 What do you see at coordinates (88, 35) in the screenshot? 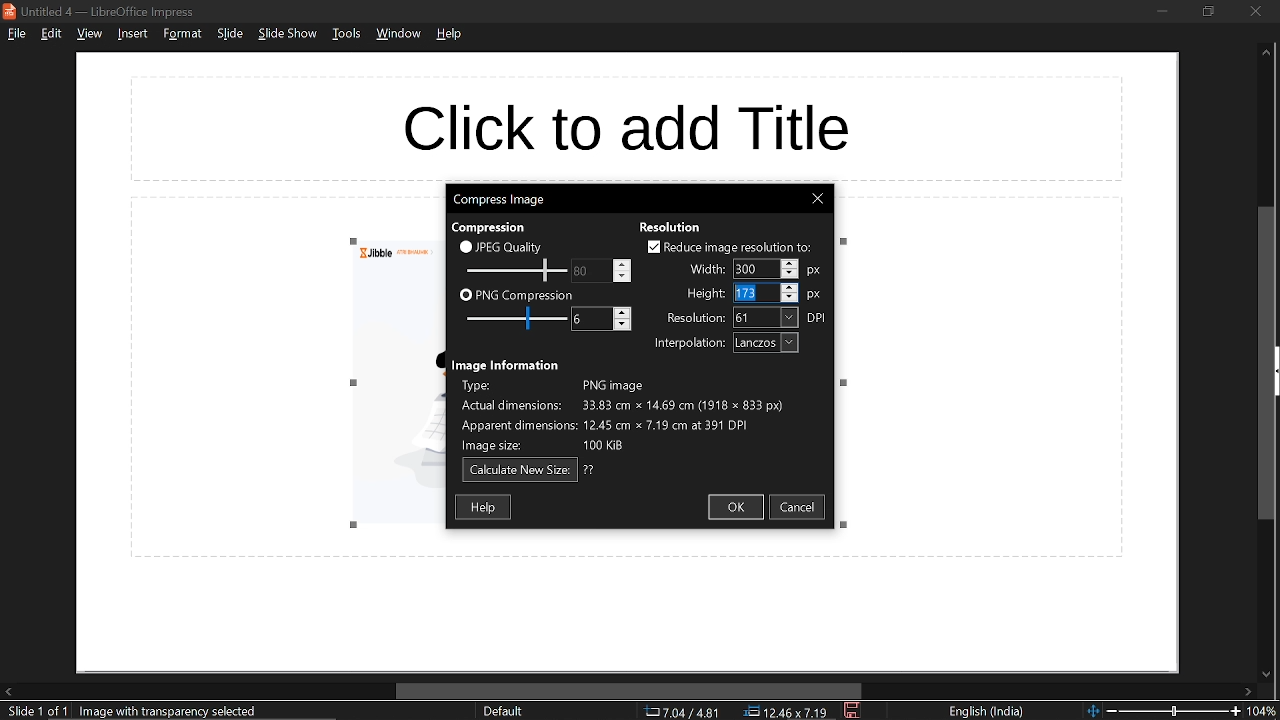
I see `view` at bounding box center [88, 35].